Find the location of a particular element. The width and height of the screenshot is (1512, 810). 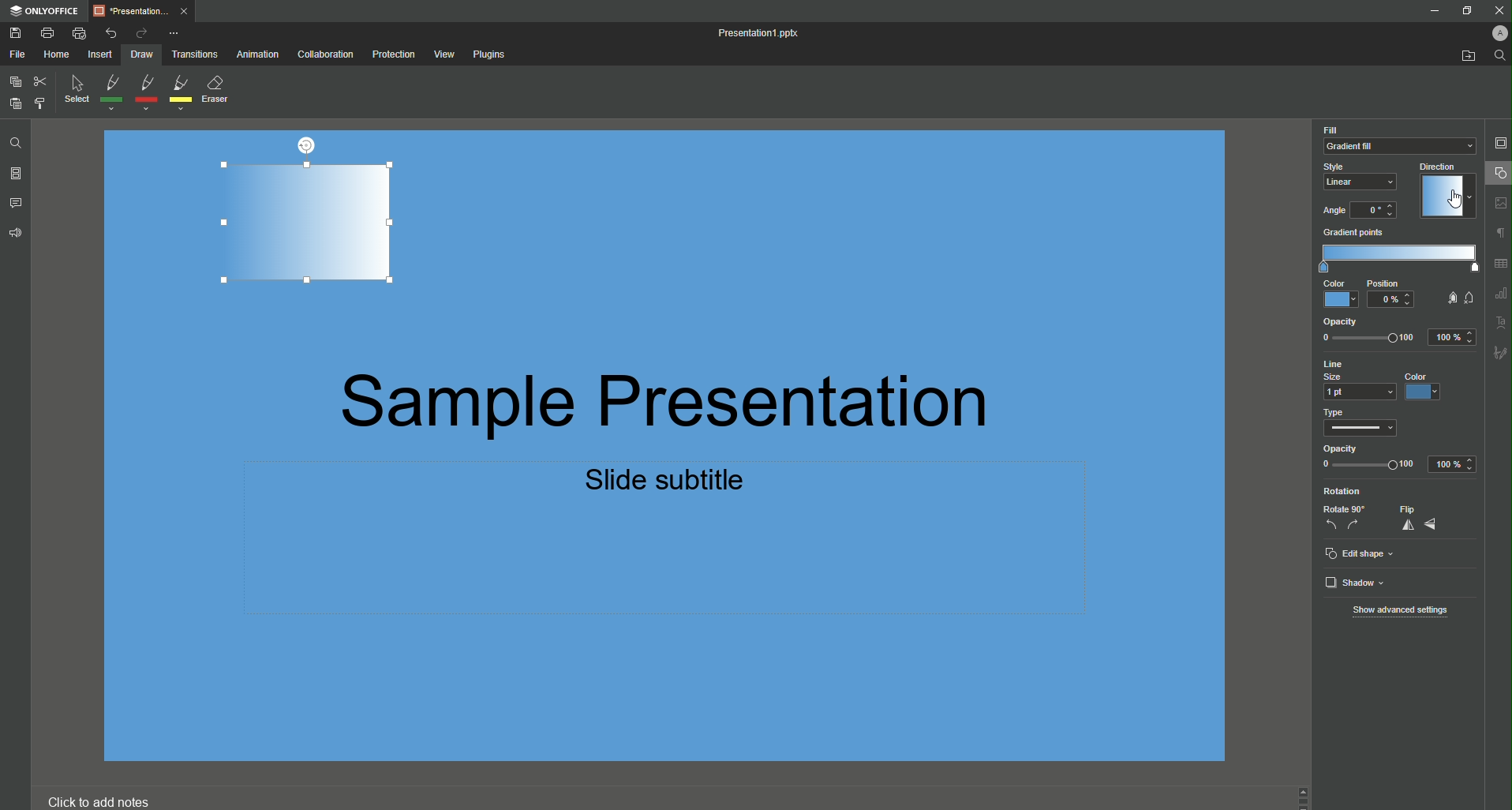

Find is located at coordinates (13, 141).